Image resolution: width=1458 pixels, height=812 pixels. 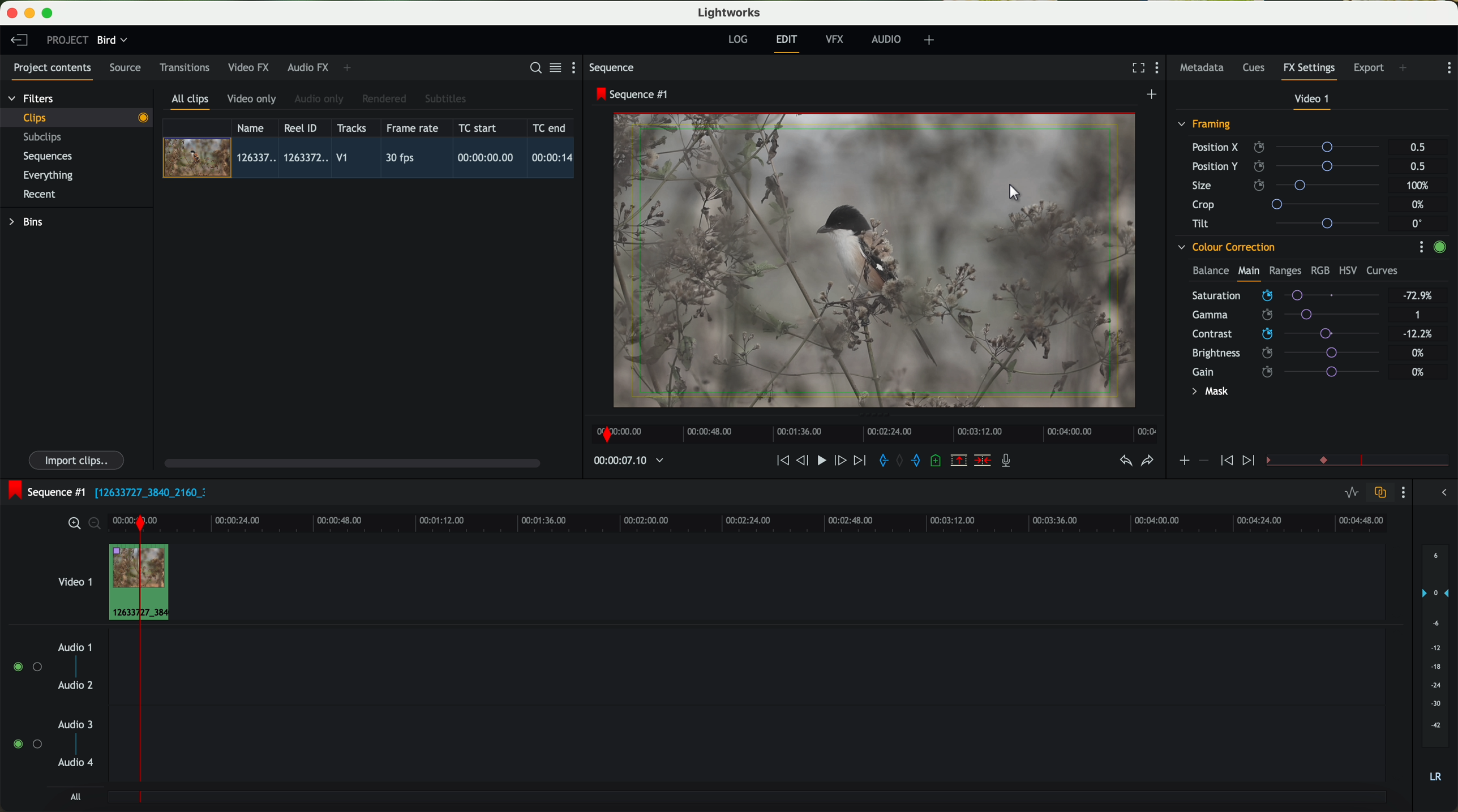 I want to click on nudge one frame foward, so click(x=842, y=461).